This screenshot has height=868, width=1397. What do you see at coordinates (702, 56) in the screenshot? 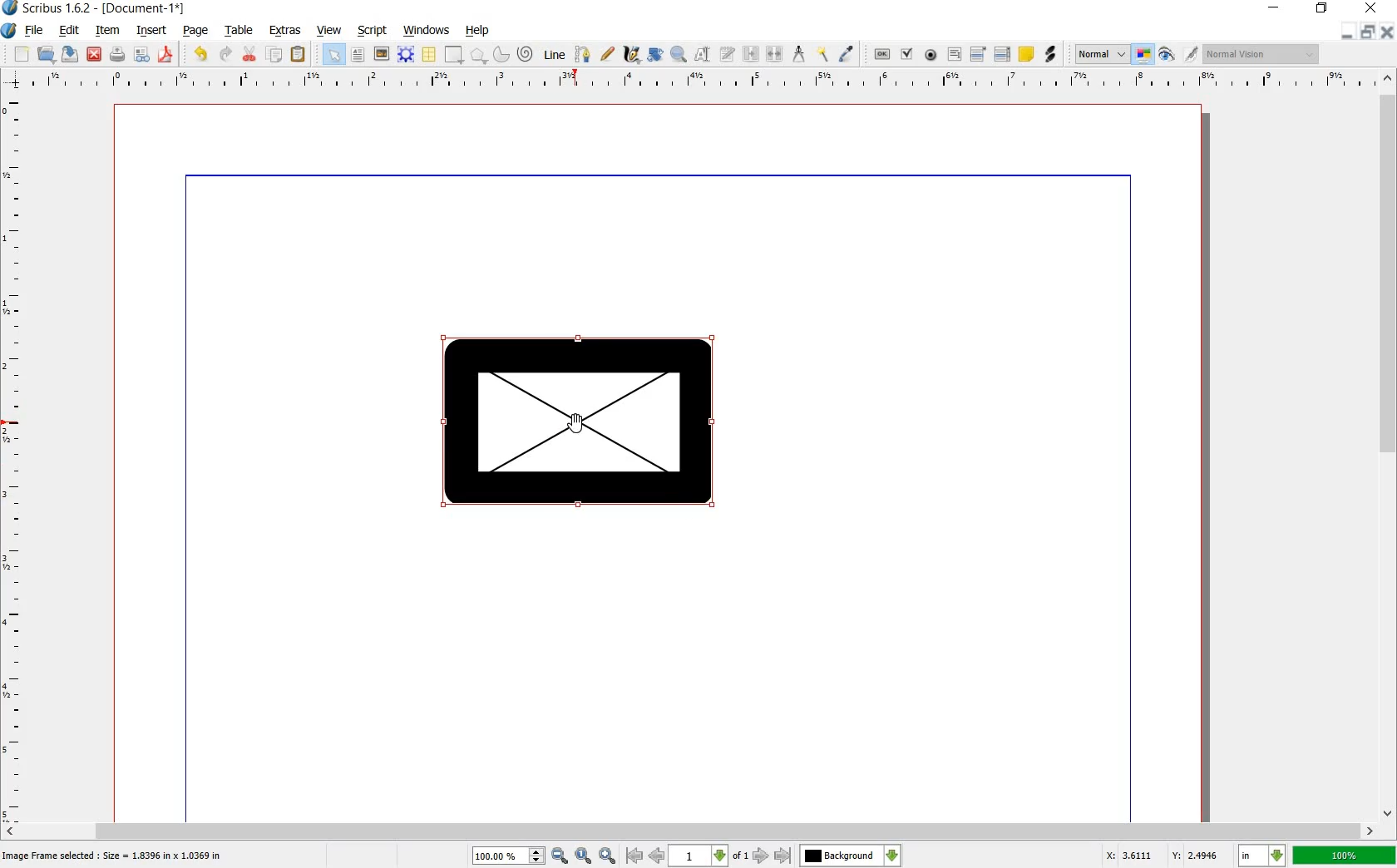
I see `edit contents of frame` at bounding box center [702, 56].